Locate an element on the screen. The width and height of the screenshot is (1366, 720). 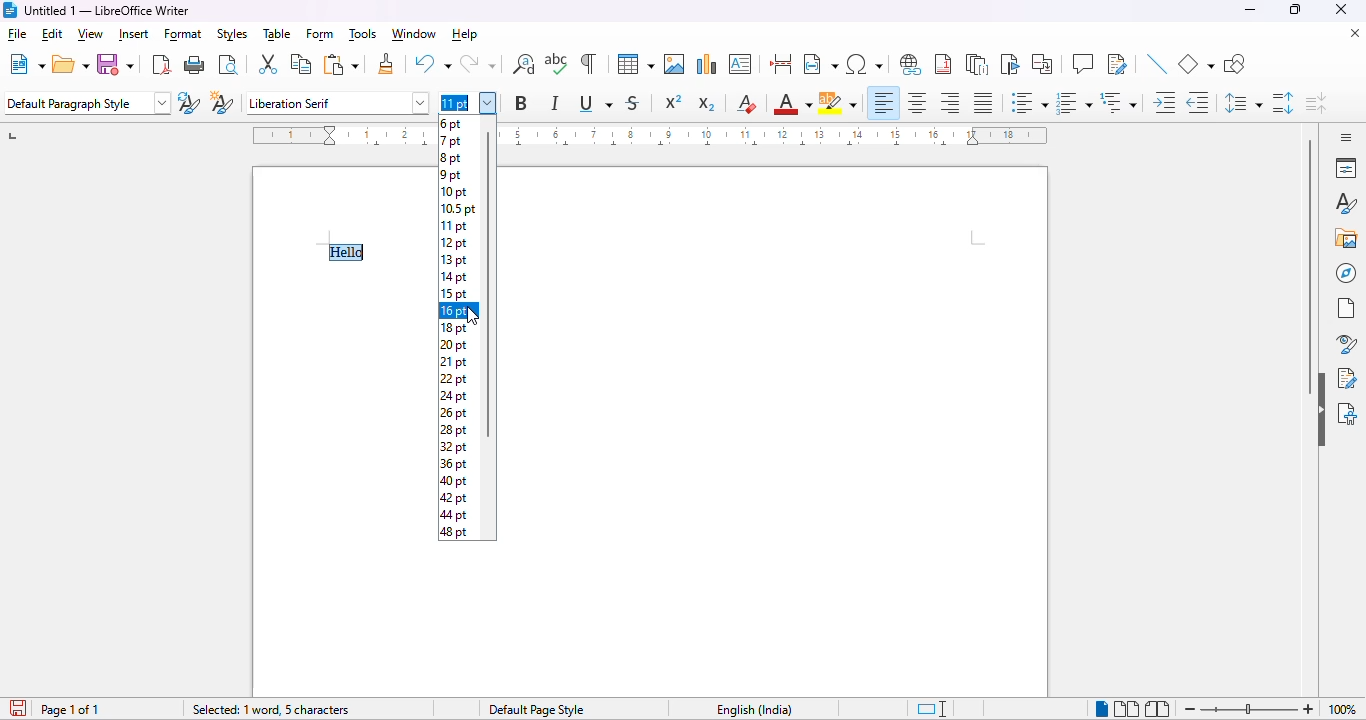
insert text box is located at coordinates (741, 64).